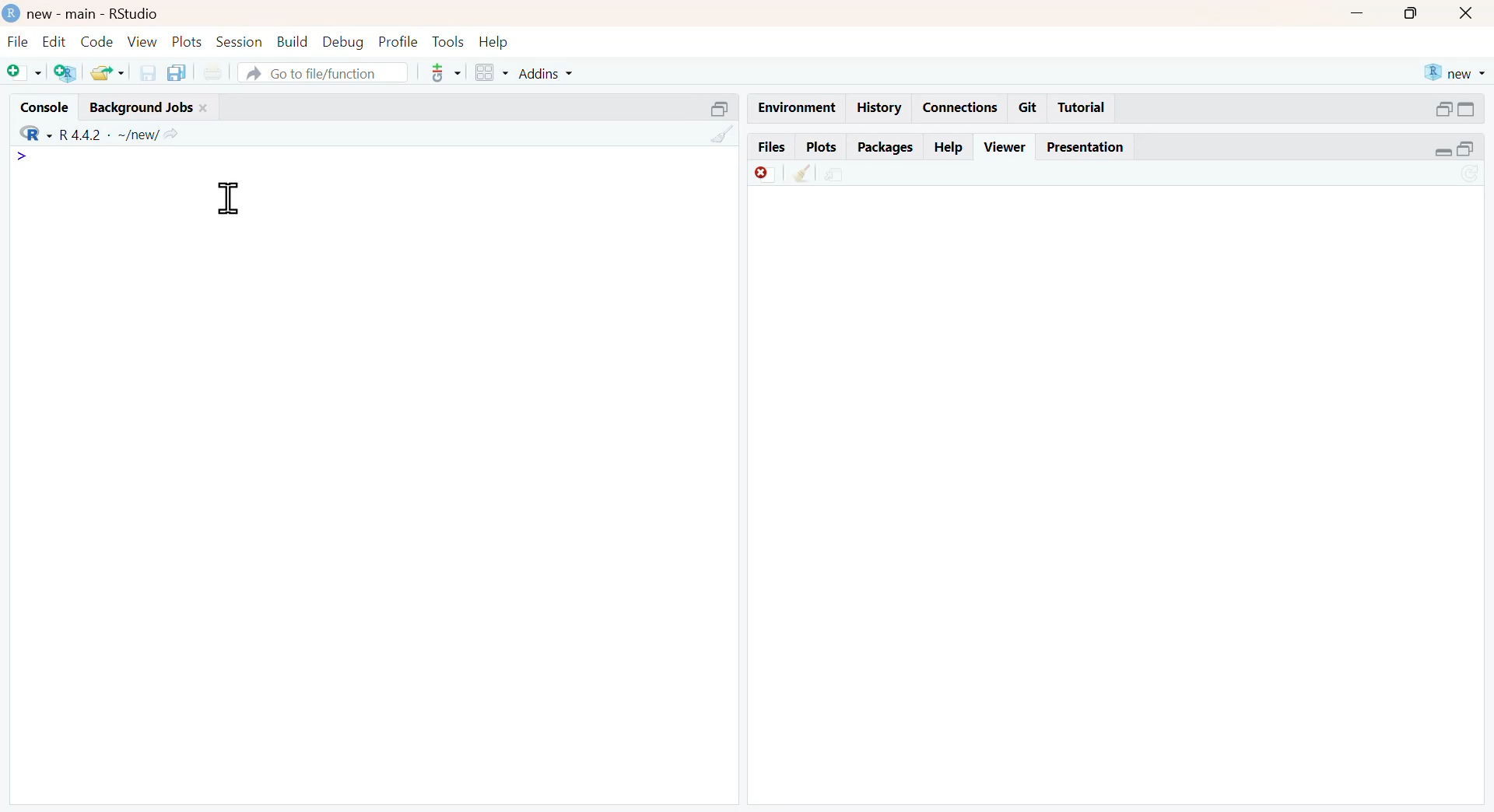 Image resolution: width=1494 pixels, height=812 pixels. Describe the element at coordinates (171, 135) in the screenshot. I see `share icon` at that location.